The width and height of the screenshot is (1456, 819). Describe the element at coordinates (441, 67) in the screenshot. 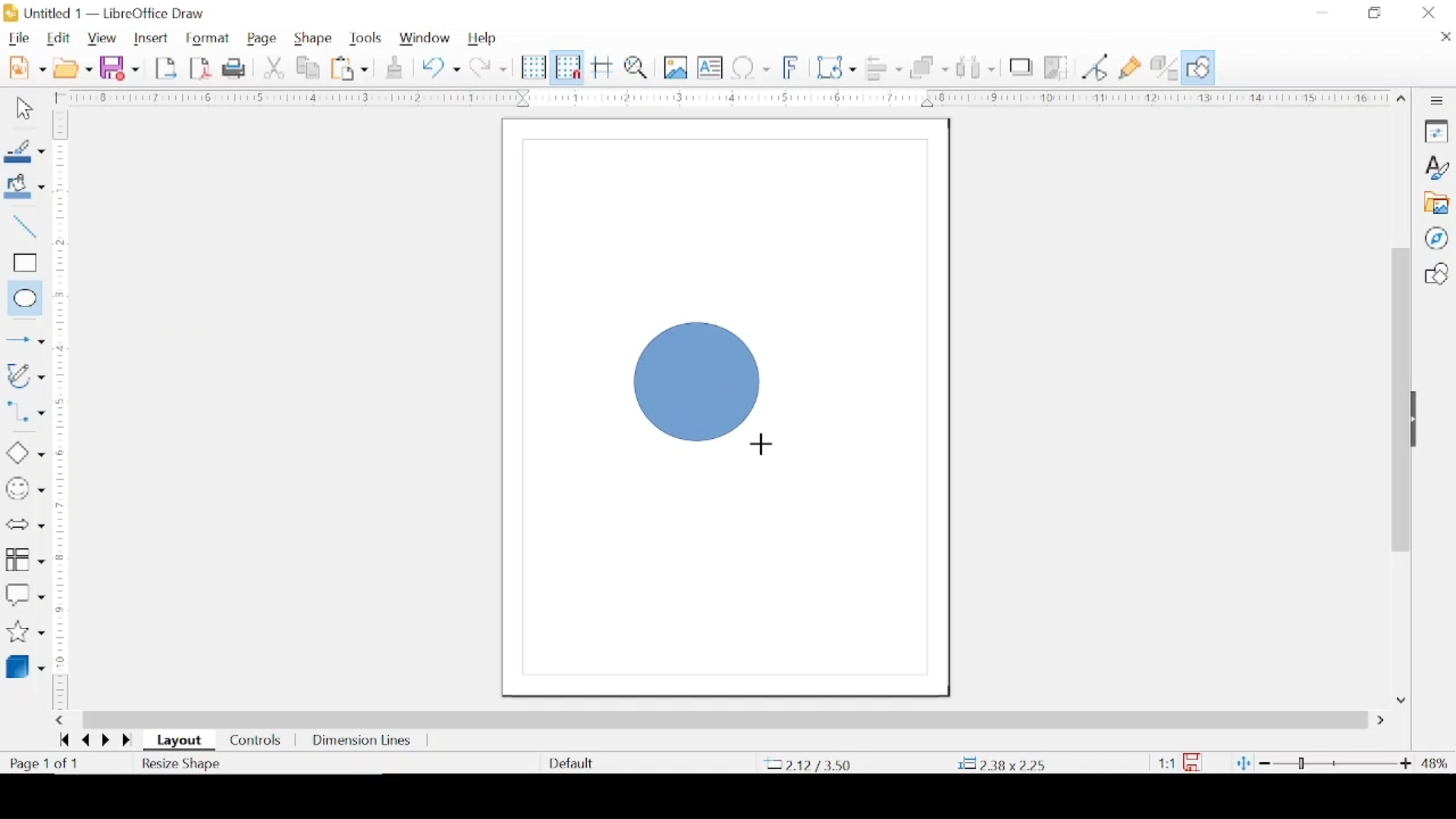

I see `undo` at that location.